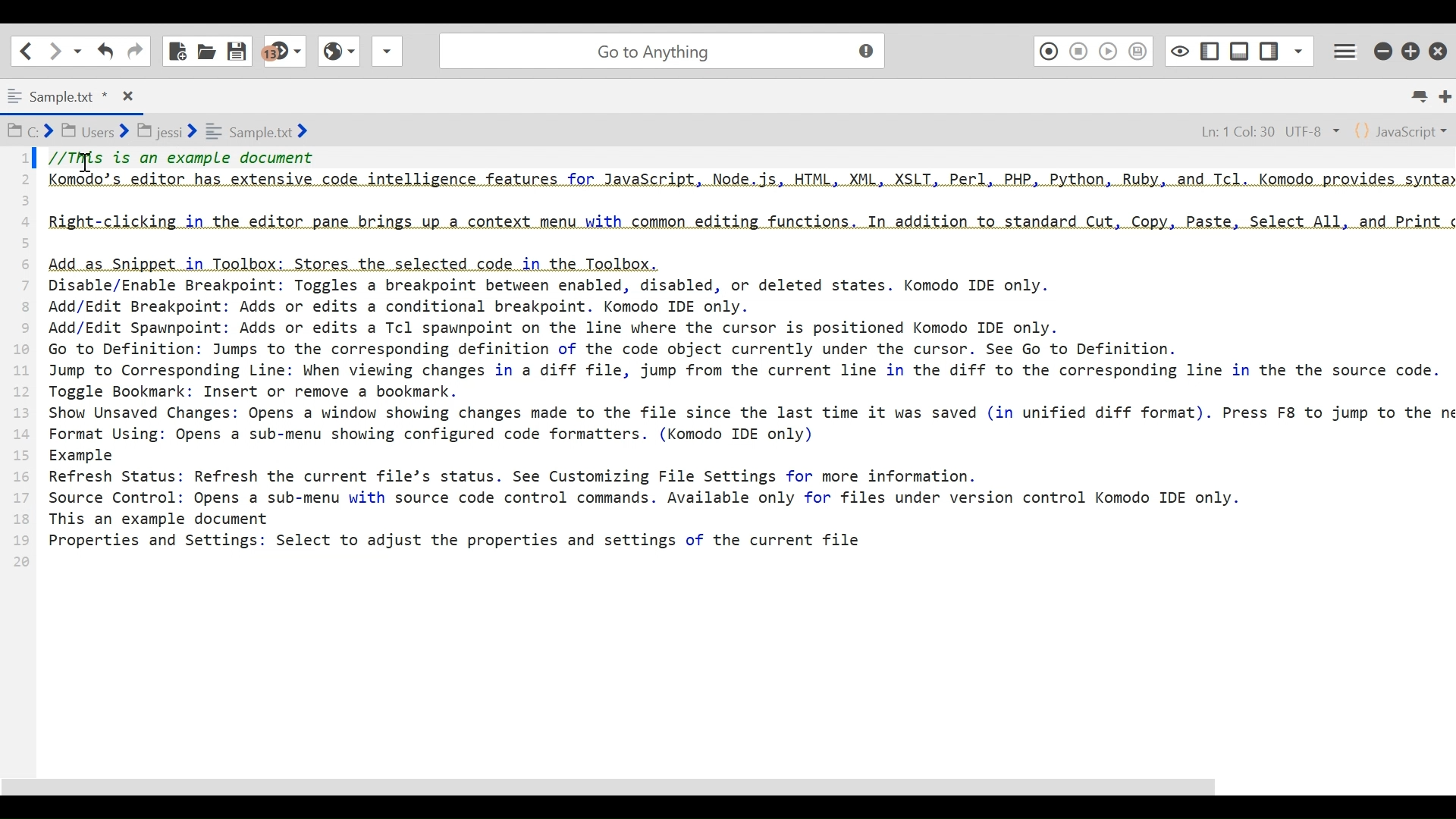  I want to click on Jump to syntax, so click(286, 52).